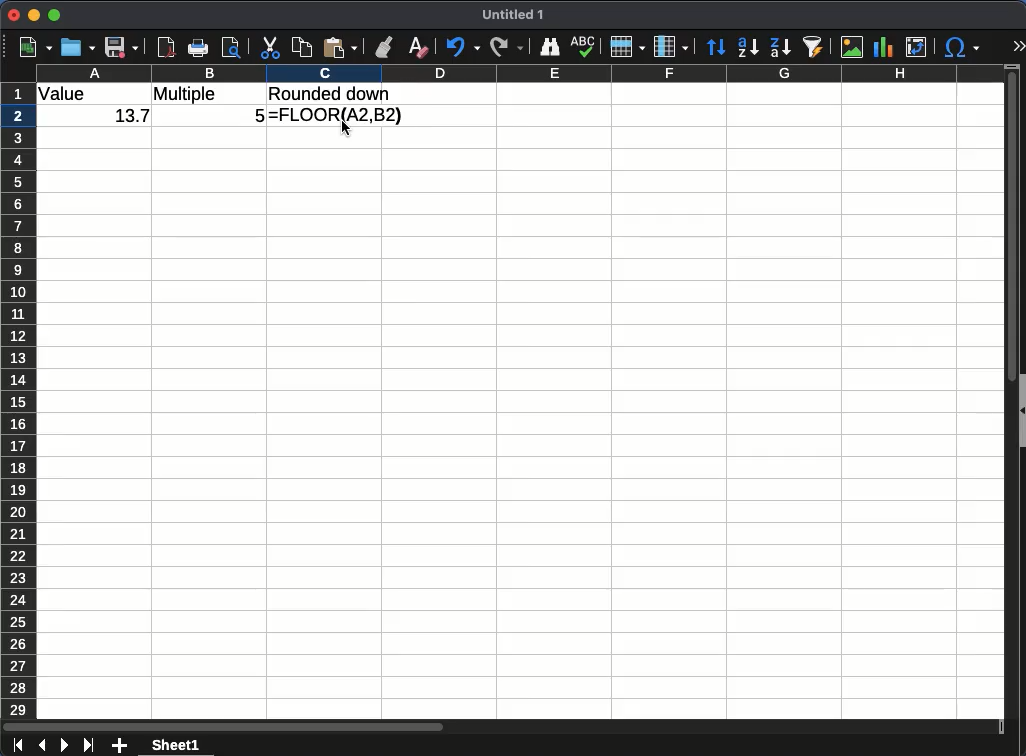 This screenshot has height=756, width=1026. Describe the element at coordinates (421, 47) in the screenshot. I see `clear formatting` at that location.